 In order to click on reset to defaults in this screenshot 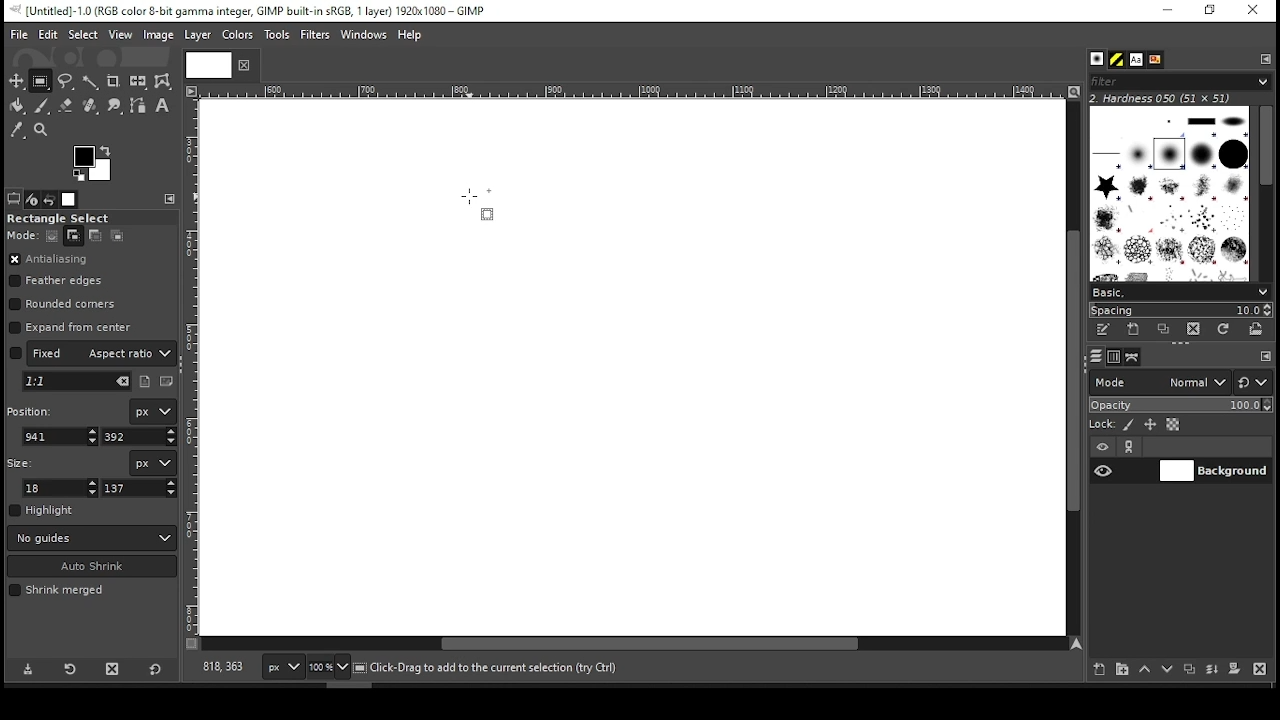, I will do `click(156, 670)`.